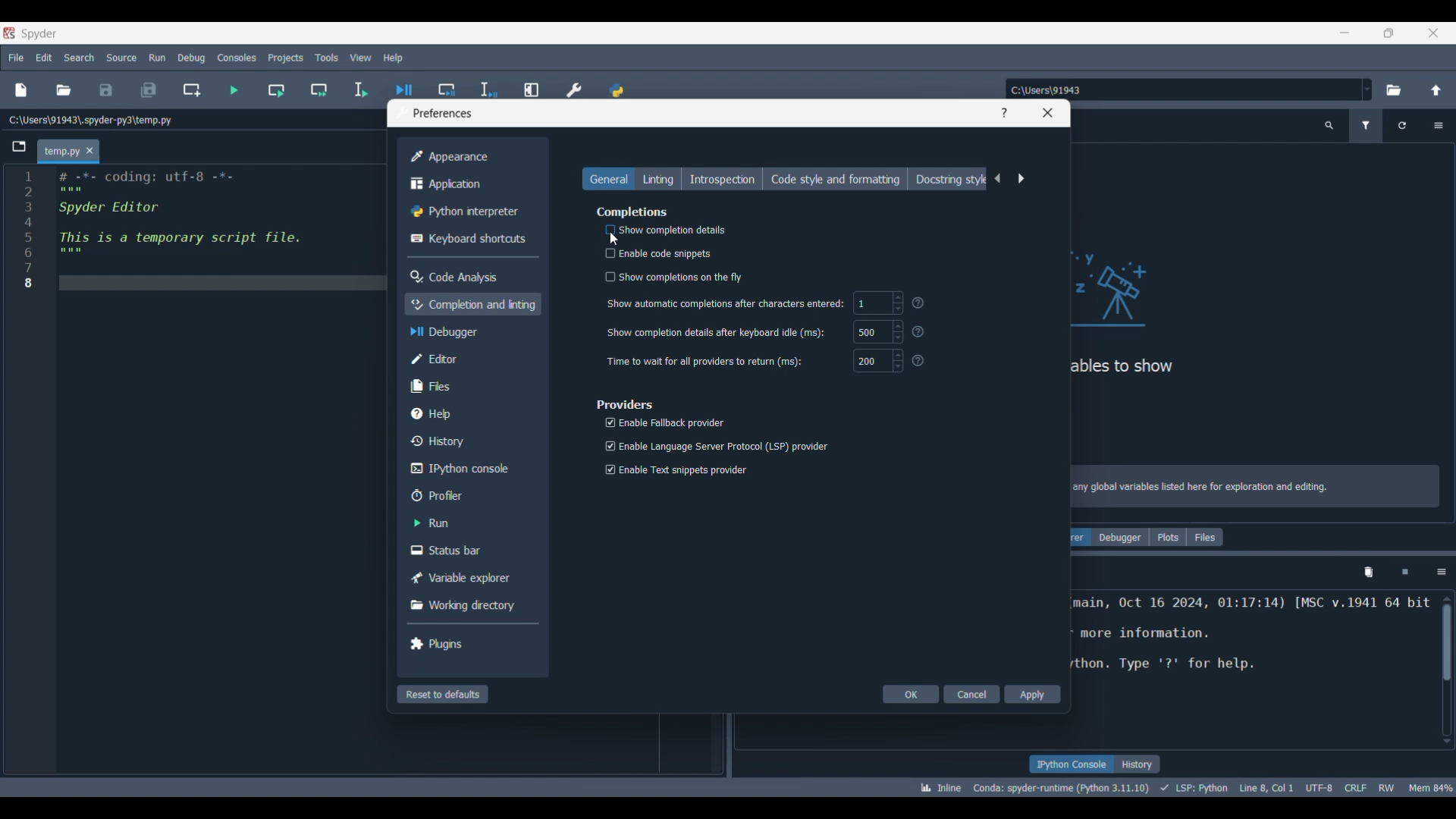  I want to click on Editor, so click(471, 359).